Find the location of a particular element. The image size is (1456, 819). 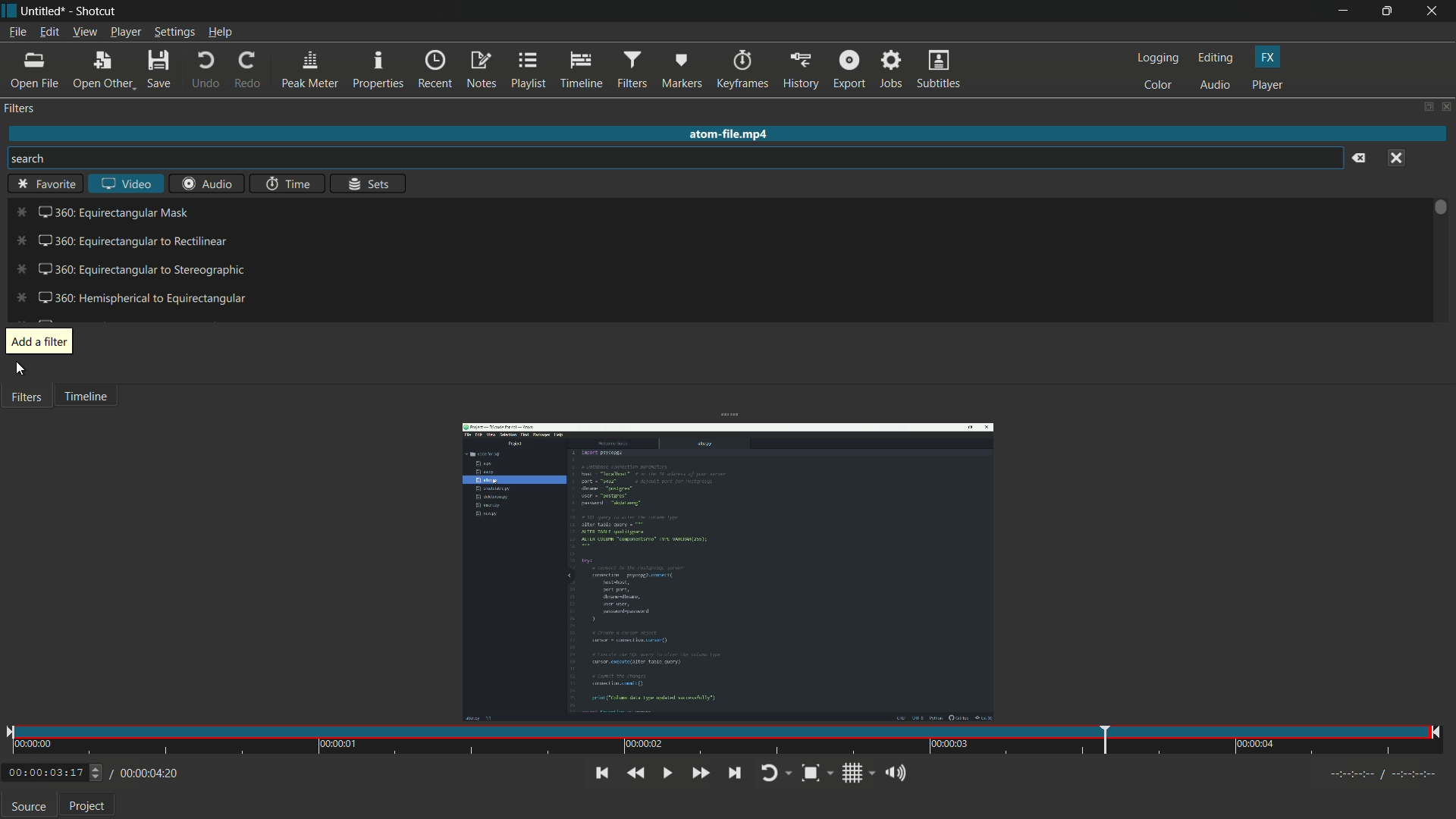

Filters is located at coordinates (31, 401).